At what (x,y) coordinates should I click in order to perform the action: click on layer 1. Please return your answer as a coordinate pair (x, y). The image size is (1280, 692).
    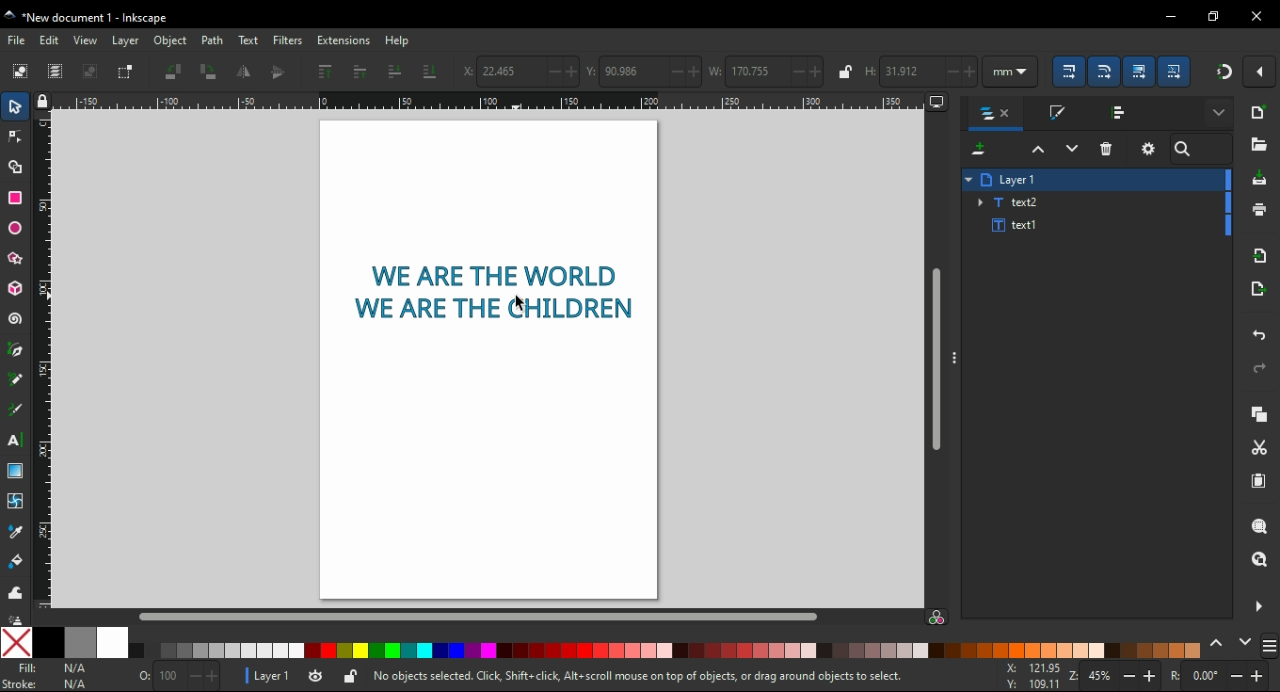
    Looking at the image, I should click on (272, 676).